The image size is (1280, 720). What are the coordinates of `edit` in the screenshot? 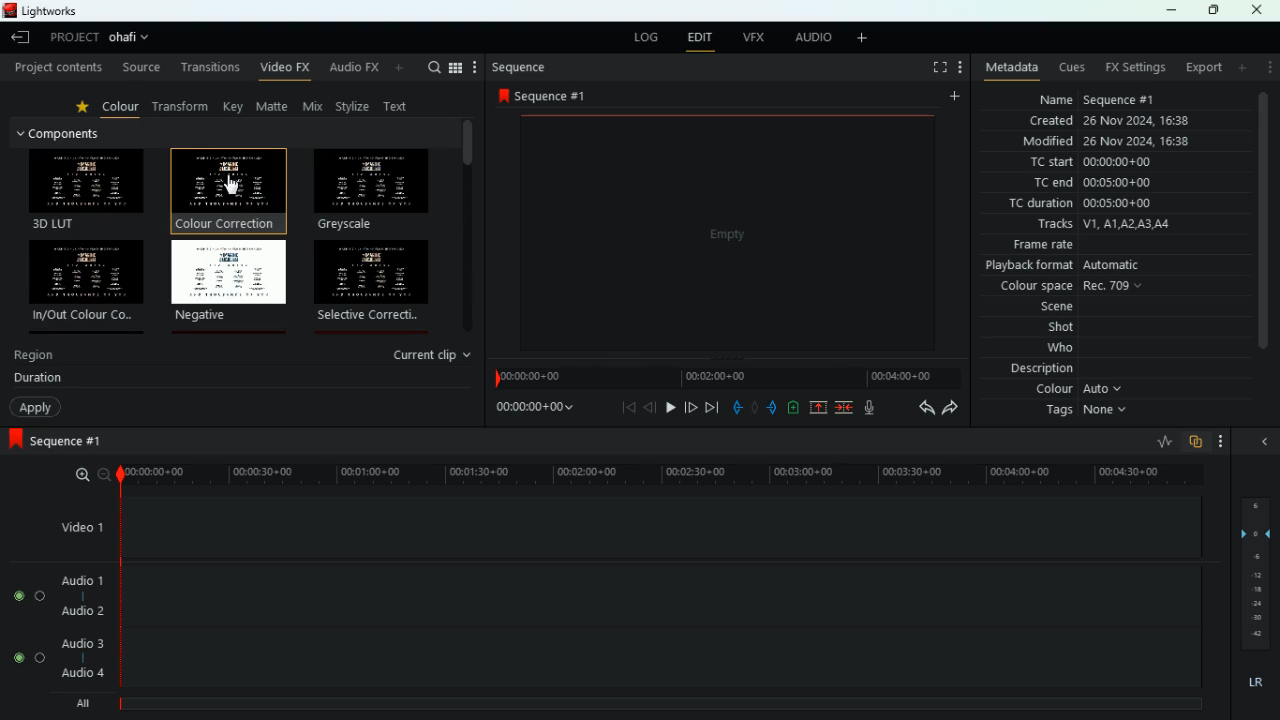 It's located at (701, 38).